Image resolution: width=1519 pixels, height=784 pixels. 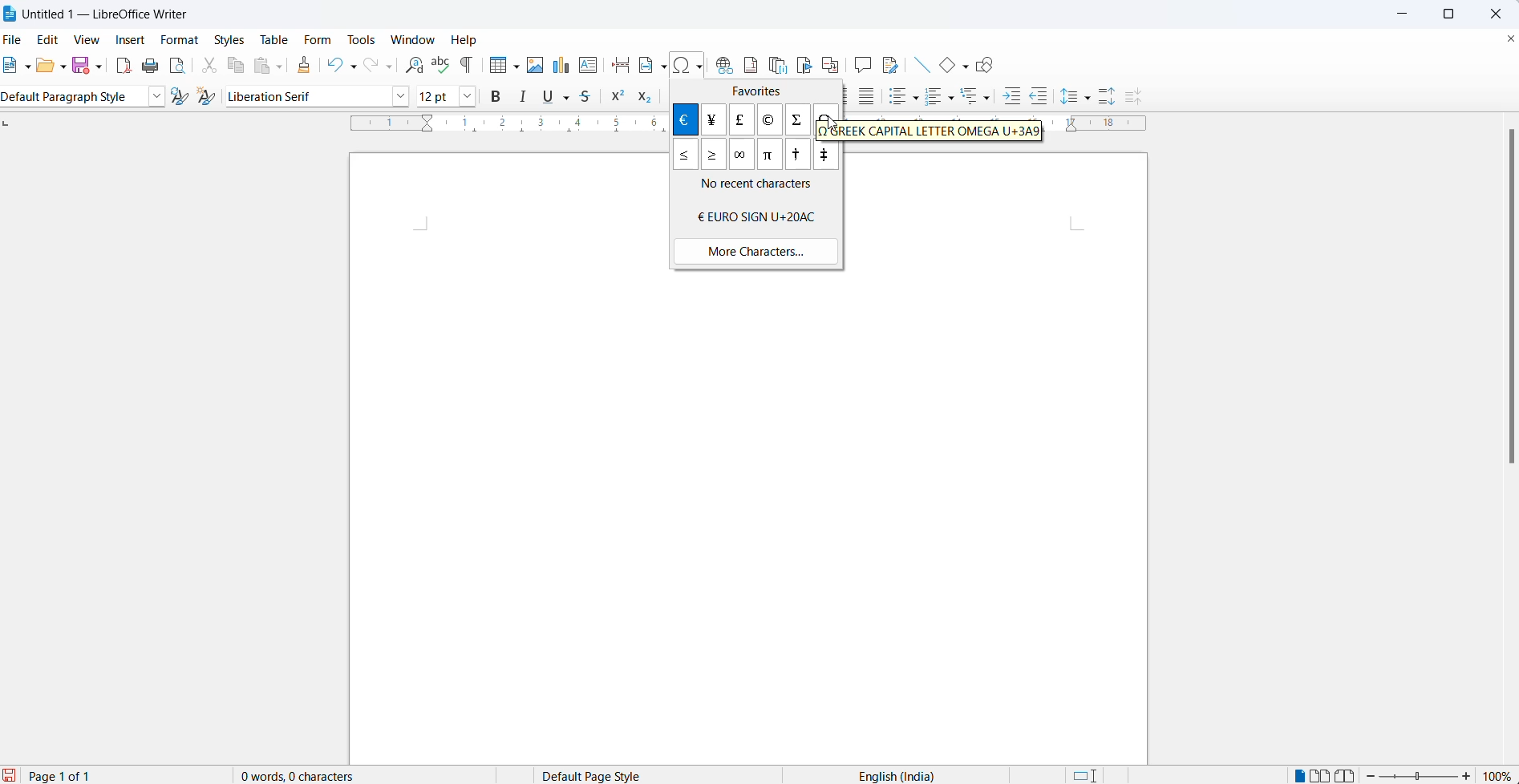 I want to click on open options, so click(x=65, y=67).